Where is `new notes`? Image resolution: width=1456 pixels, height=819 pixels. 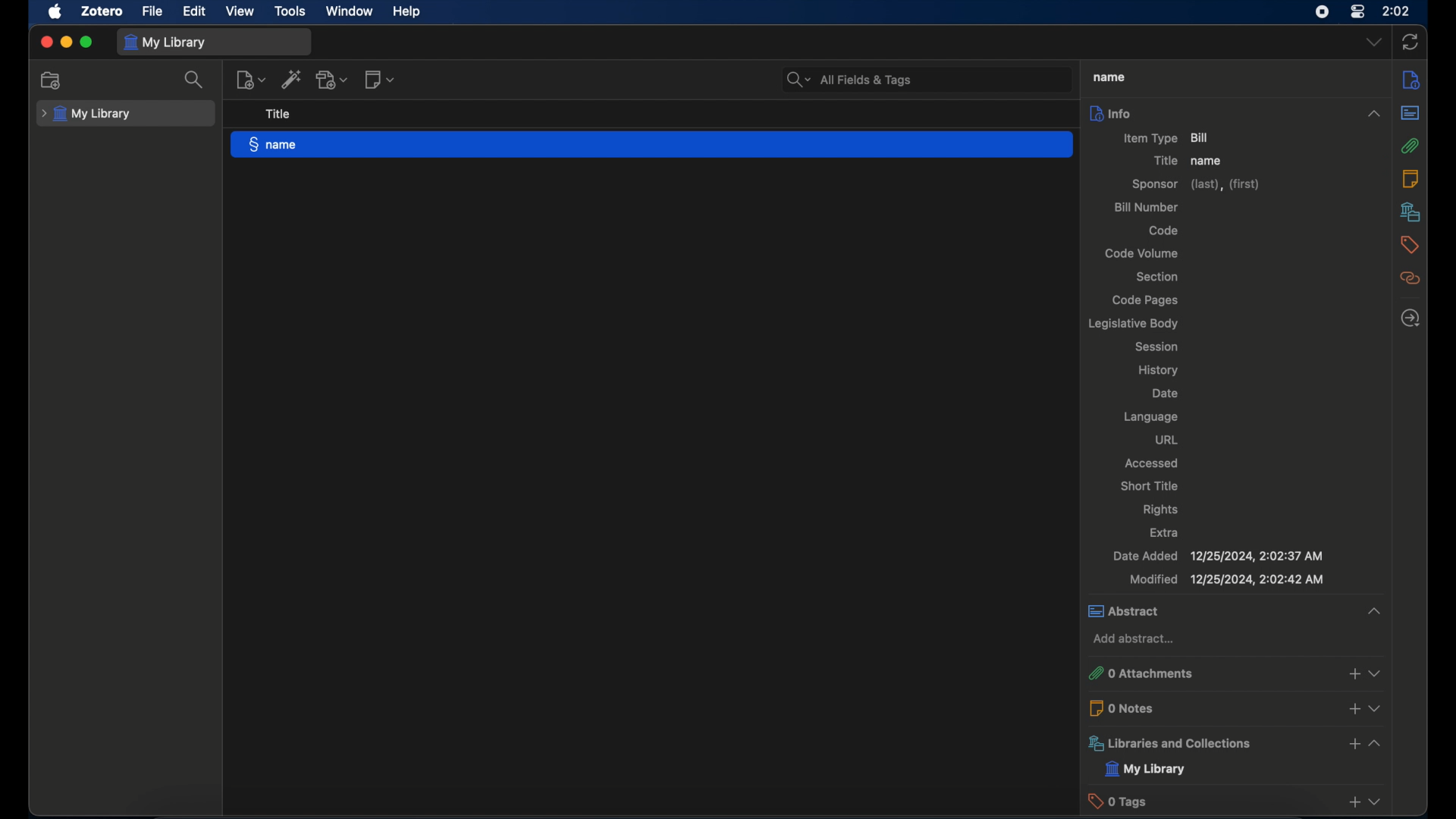 new notes is located at coordinates (381, 80).